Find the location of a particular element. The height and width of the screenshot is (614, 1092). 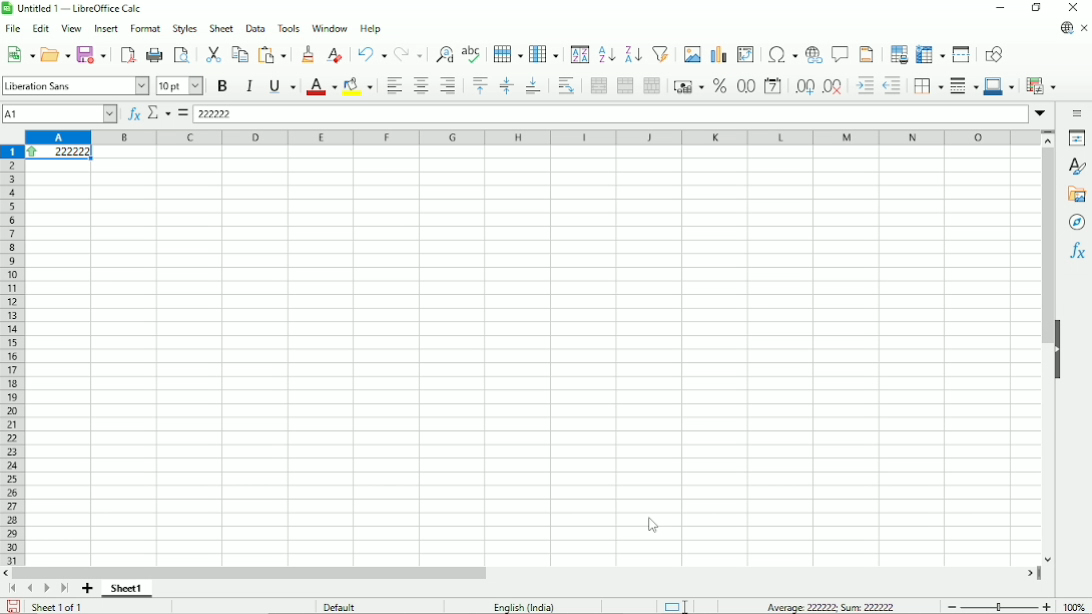

Scroll to first page is located at coordinates (13, 589).